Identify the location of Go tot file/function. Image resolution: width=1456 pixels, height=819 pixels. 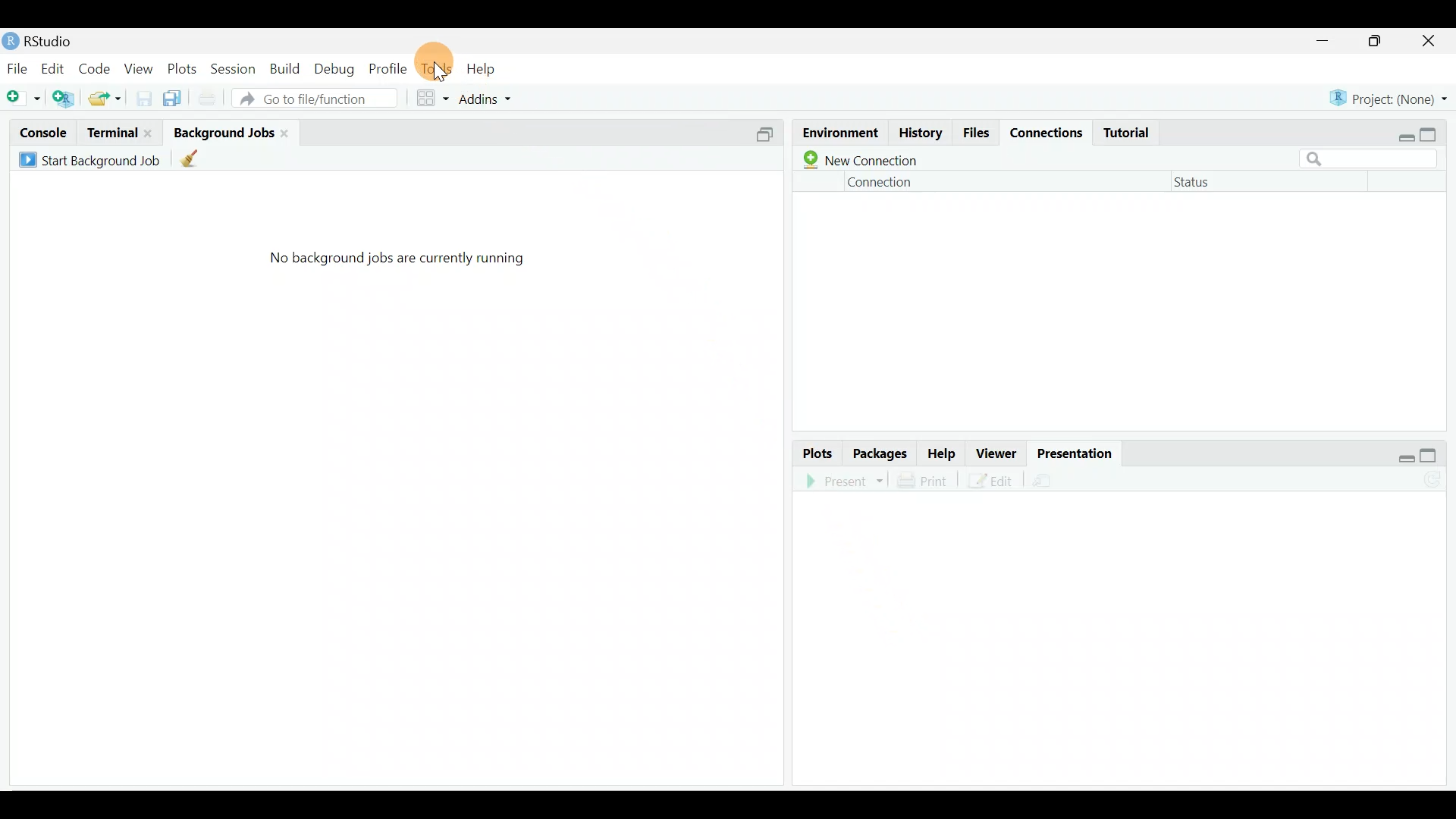
(319, 99).